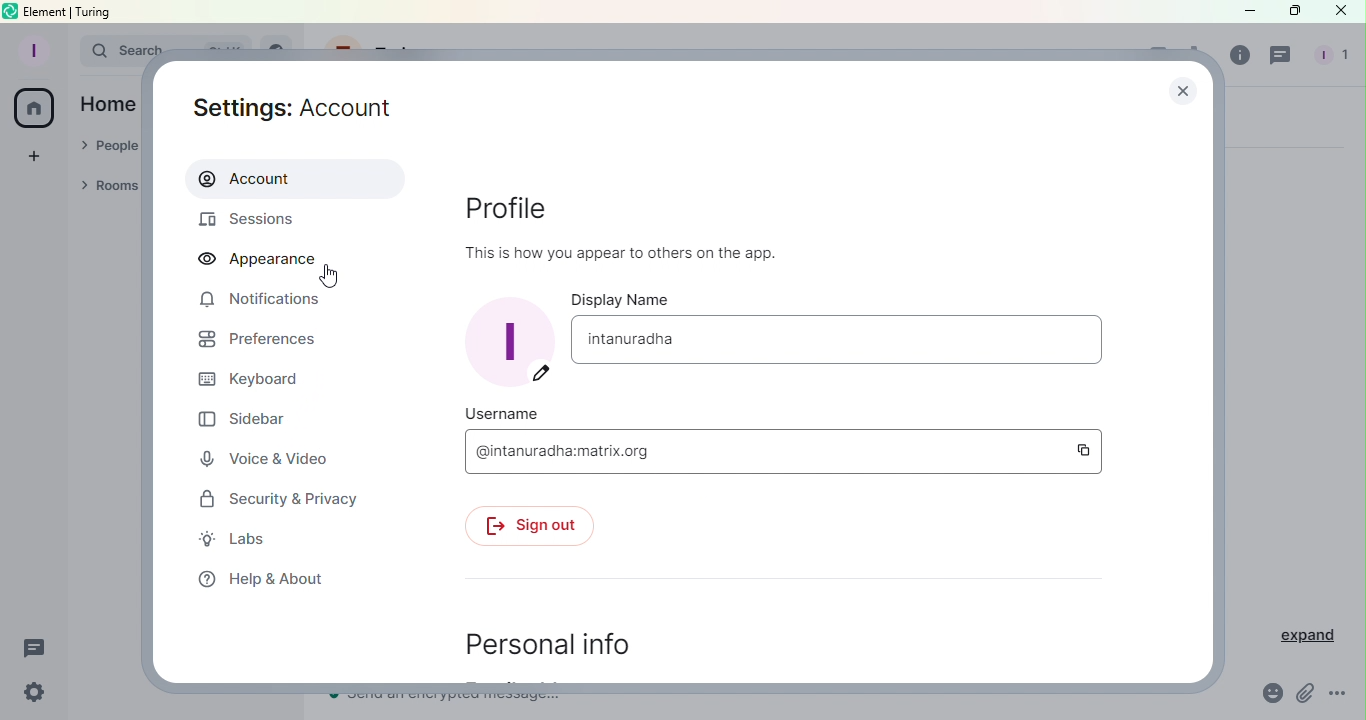 This screenshot has height=720, width=1366. I want to click on Username, so click(493, 414).